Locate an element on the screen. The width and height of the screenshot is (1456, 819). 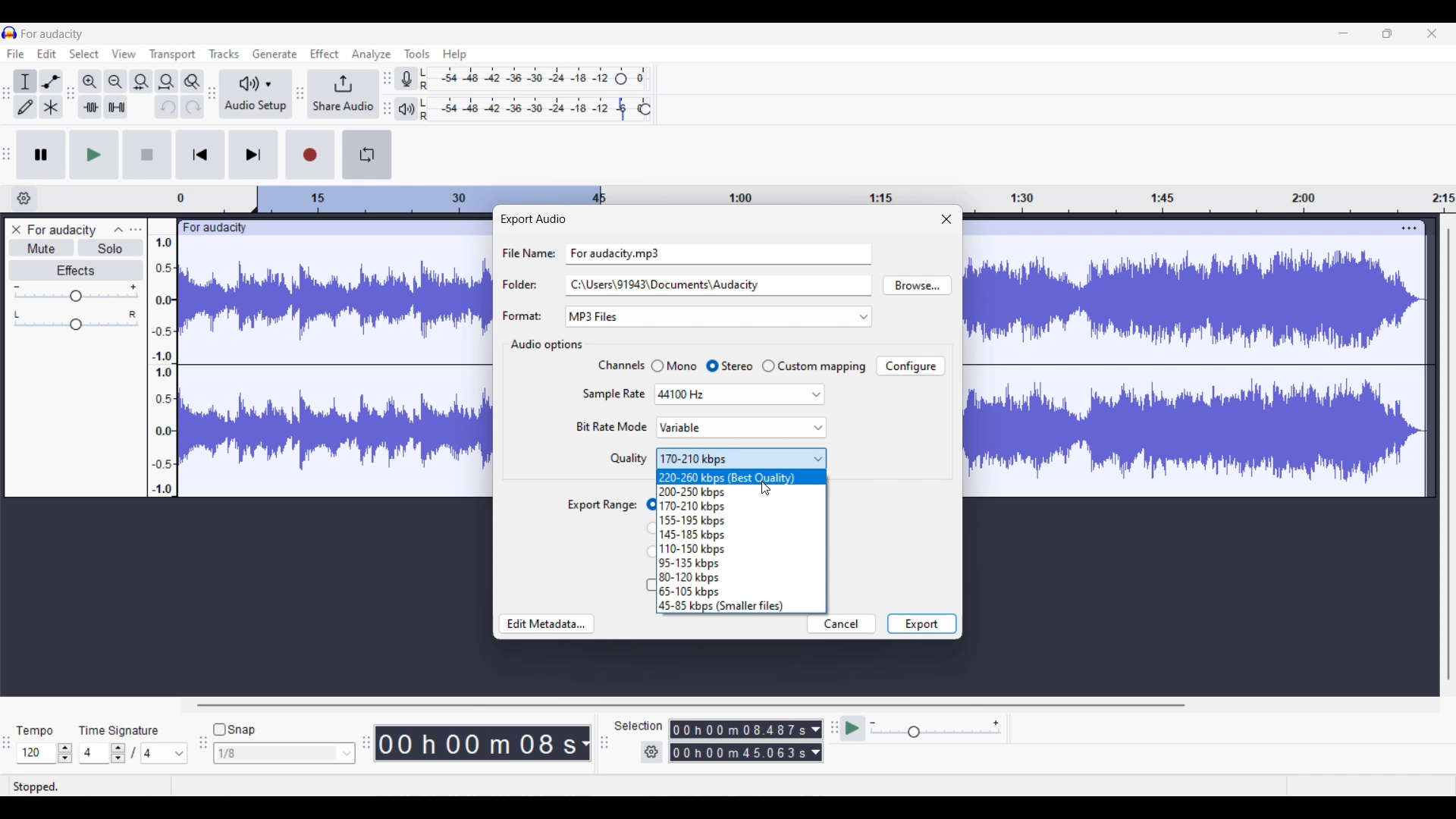
Play/Play once is located at coordinates (95, 155).